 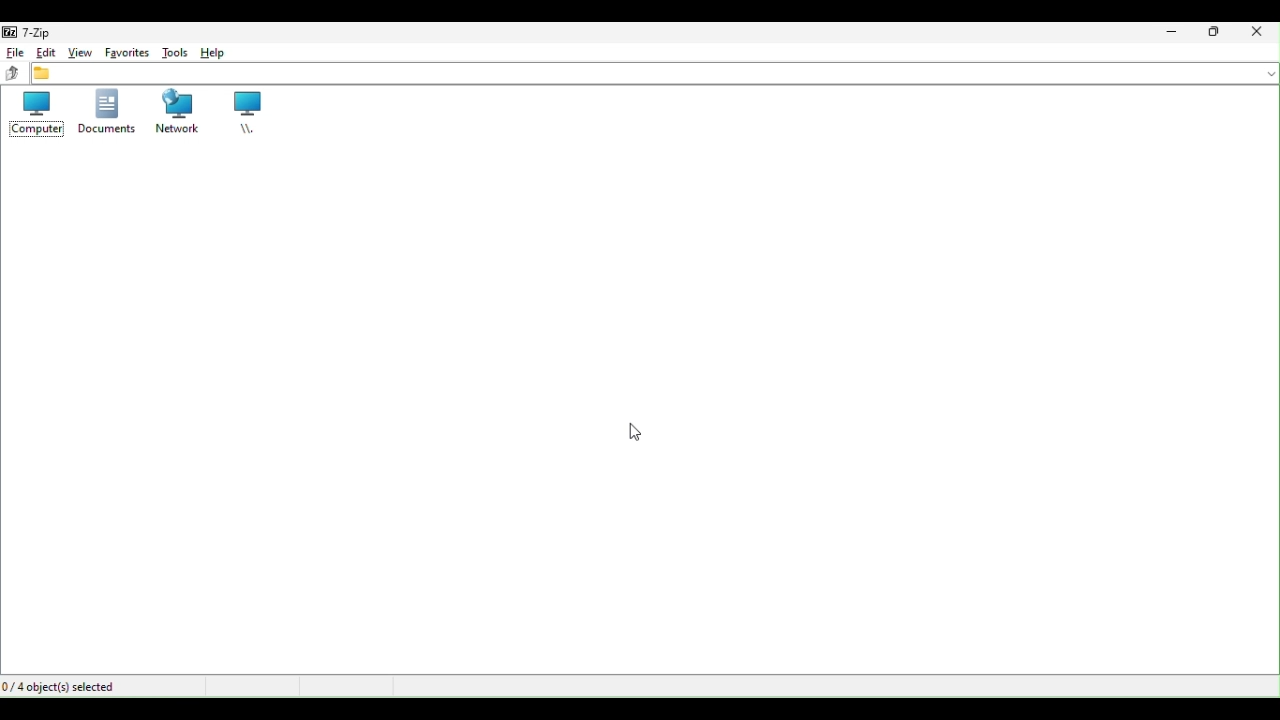 I want to click on root, so click(x=249, y=113).